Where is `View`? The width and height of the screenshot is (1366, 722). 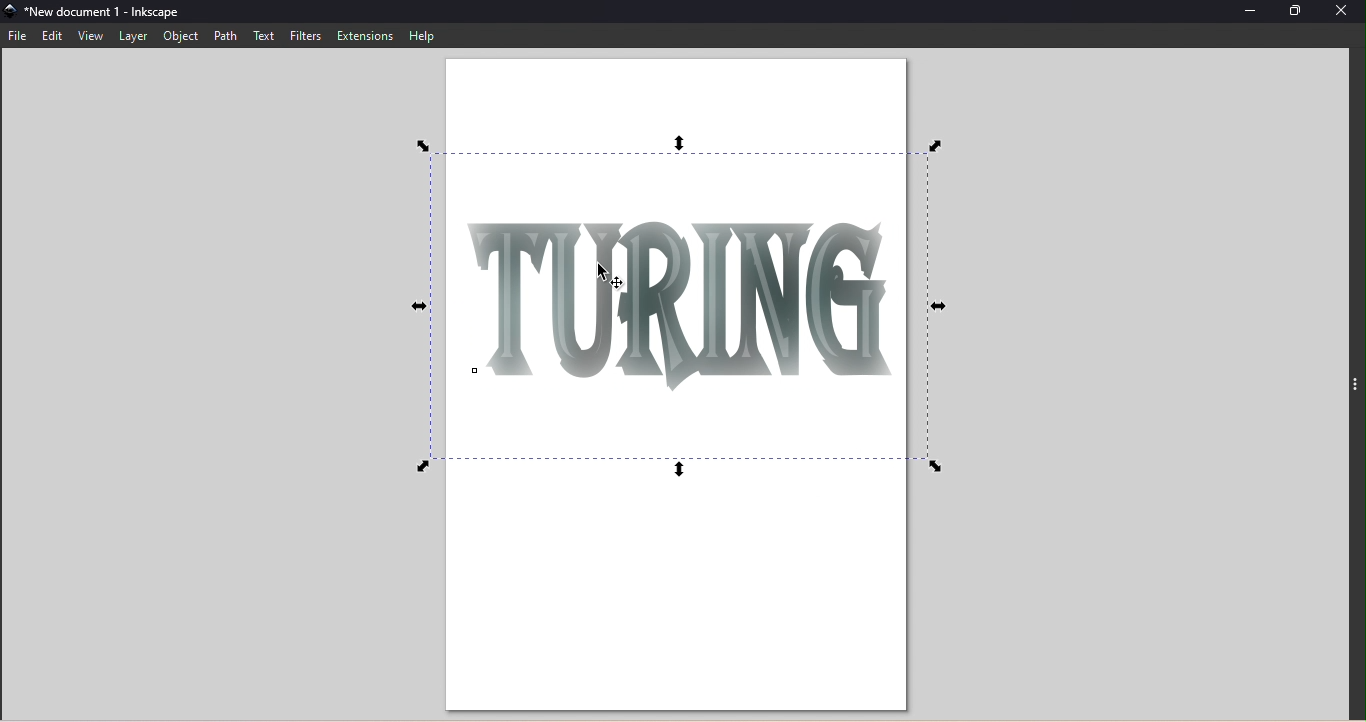
View is located at coordinates (92, 37).